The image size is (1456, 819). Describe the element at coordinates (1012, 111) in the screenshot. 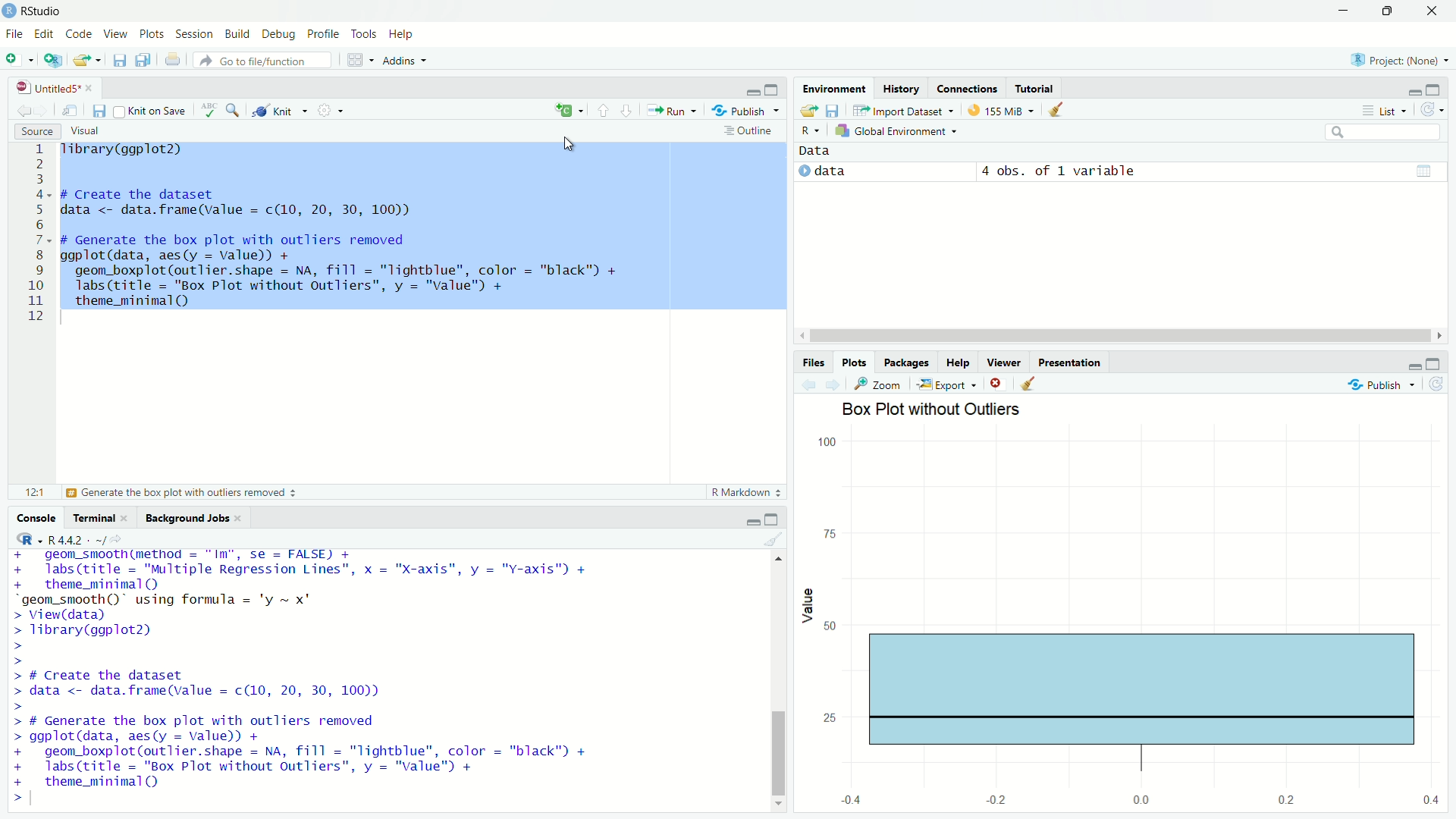

I see `112 MiB ~` at that location.